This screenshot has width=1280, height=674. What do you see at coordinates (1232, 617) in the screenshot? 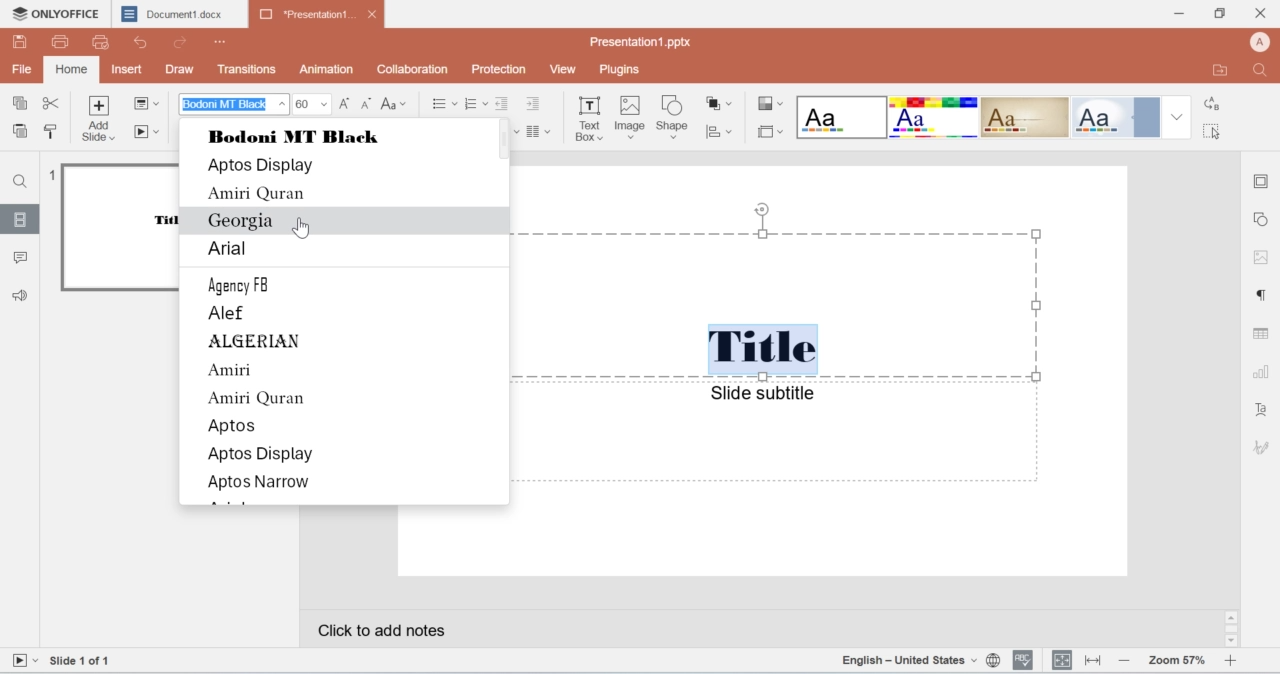
I see `scroll up` at bounding box center [1232, 617].